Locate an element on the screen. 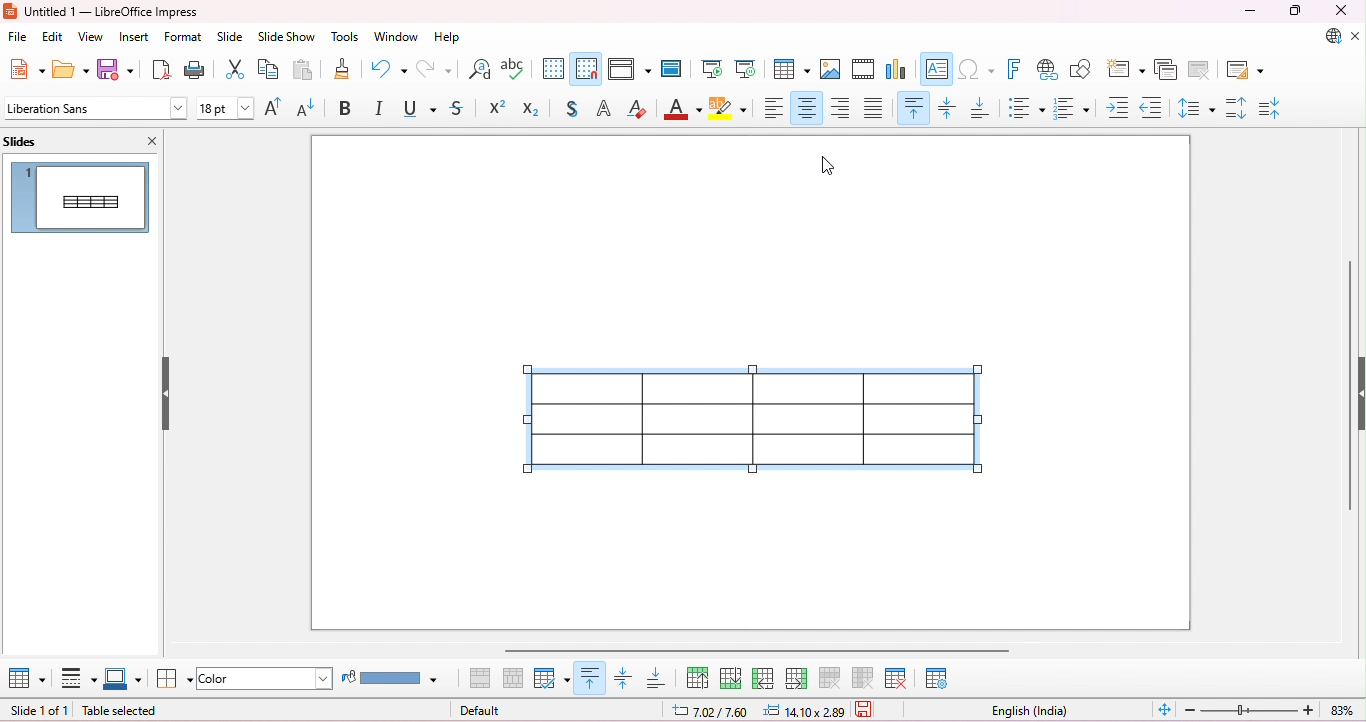  save is located at coordinates (867, 711).